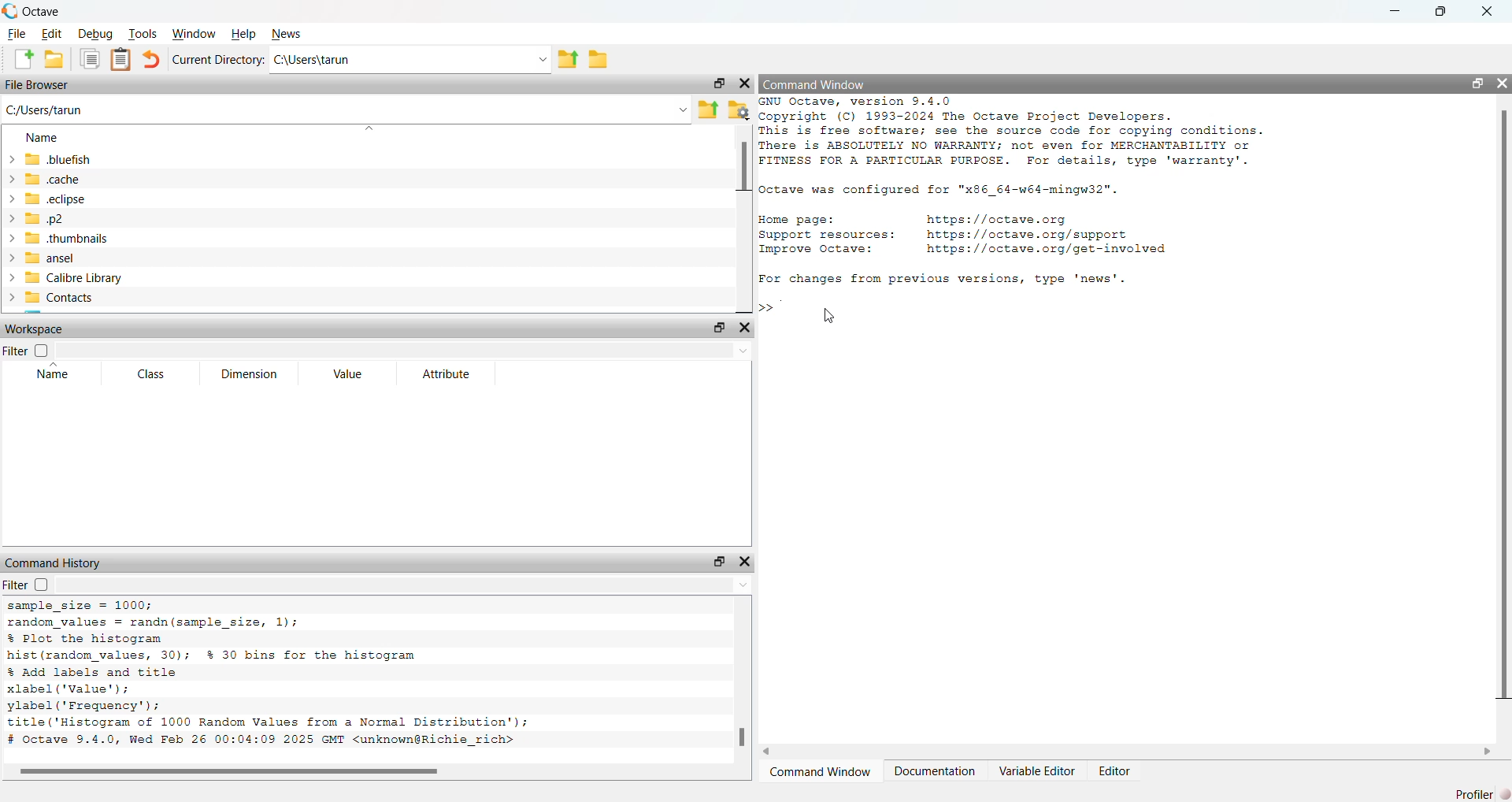 The width and height of the screenshot is (1512, 802). I want to click on scroll right, so click(1487, 751).